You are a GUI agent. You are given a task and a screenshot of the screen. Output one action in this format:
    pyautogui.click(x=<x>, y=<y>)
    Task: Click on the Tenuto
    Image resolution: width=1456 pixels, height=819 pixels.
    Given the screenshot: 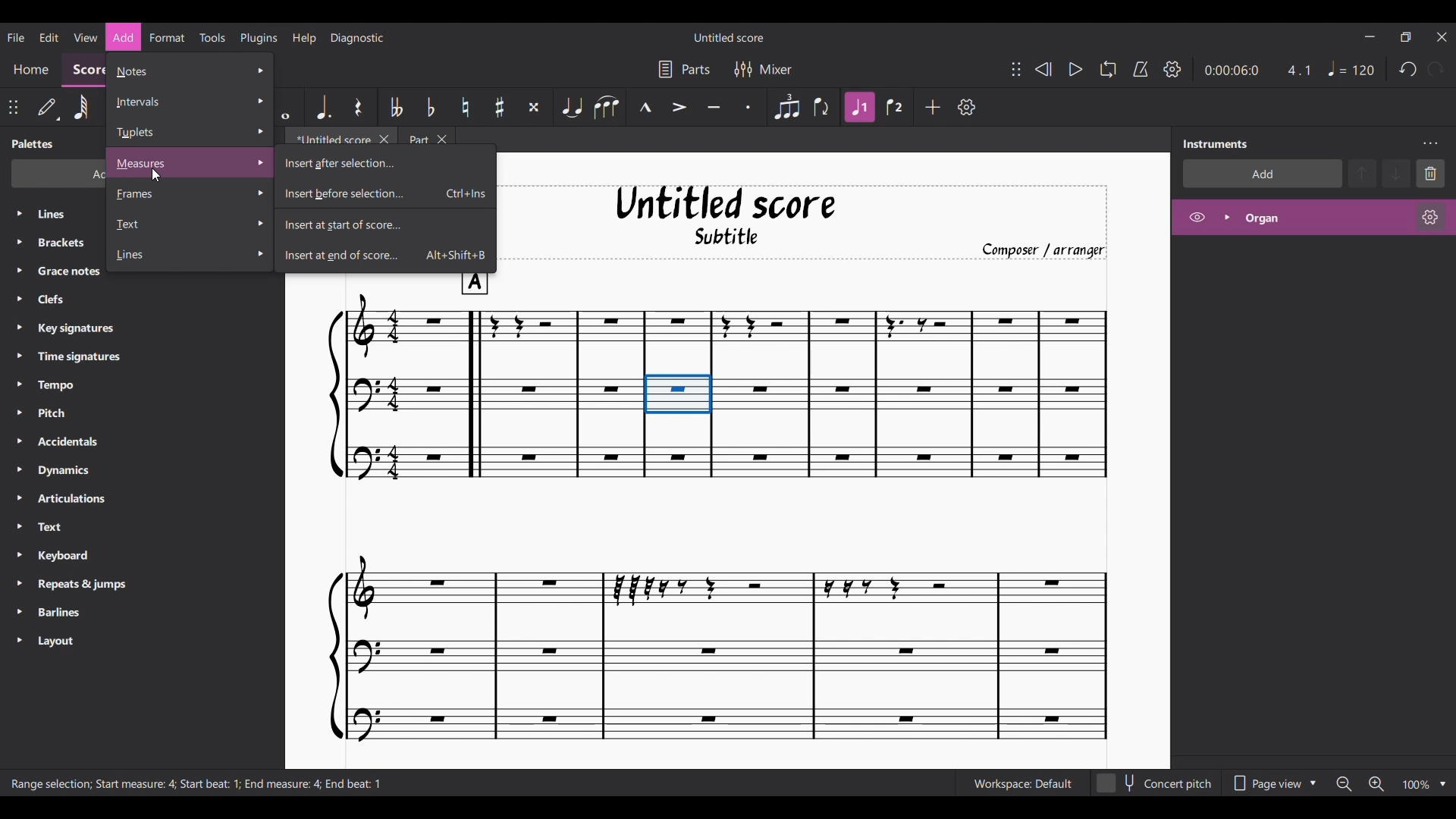 What is the action you would take?
    pyautogui.click(x=714, y=108)
    